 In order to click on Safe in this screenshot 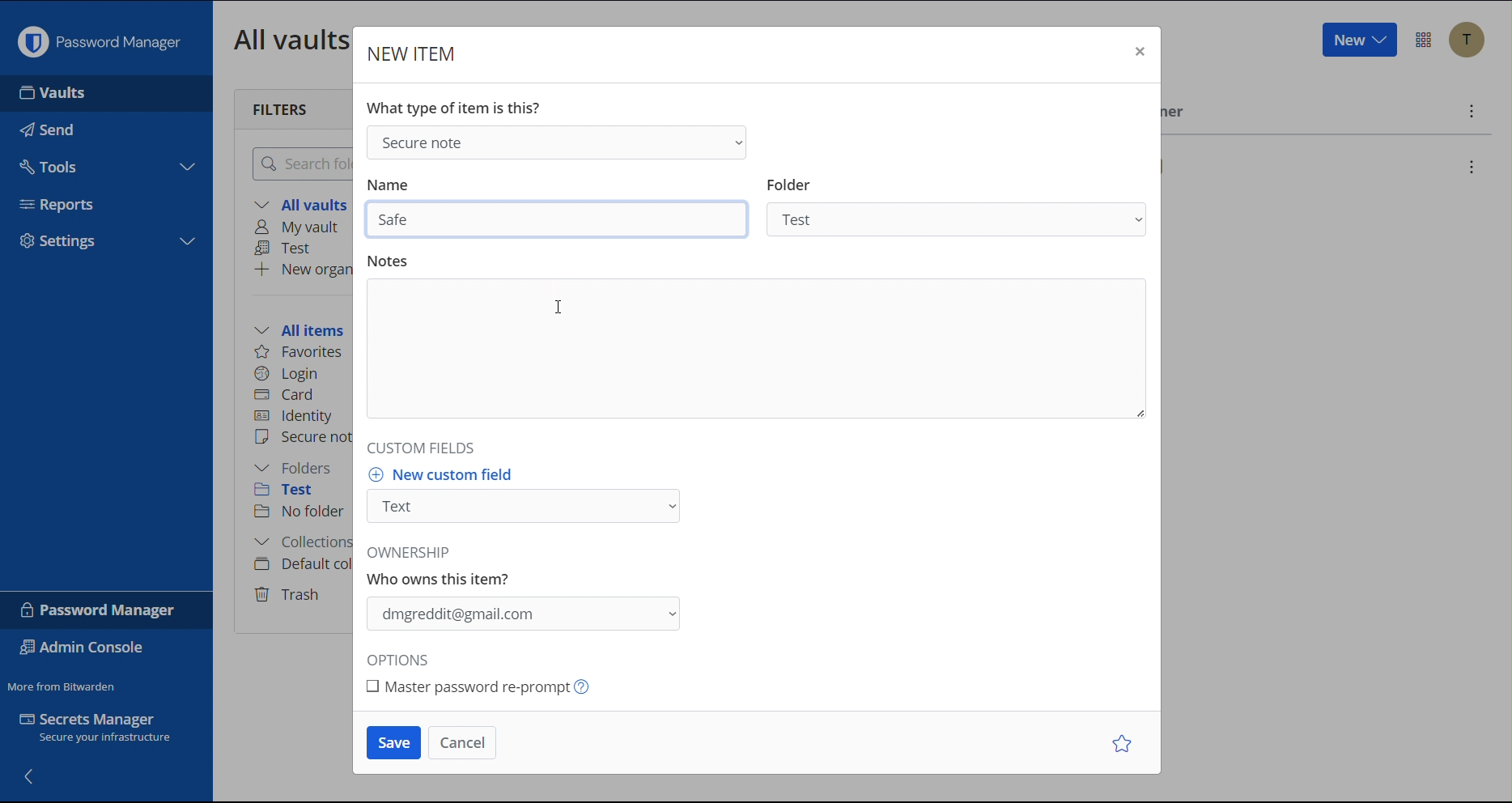, I will do `click(559, 219)`.